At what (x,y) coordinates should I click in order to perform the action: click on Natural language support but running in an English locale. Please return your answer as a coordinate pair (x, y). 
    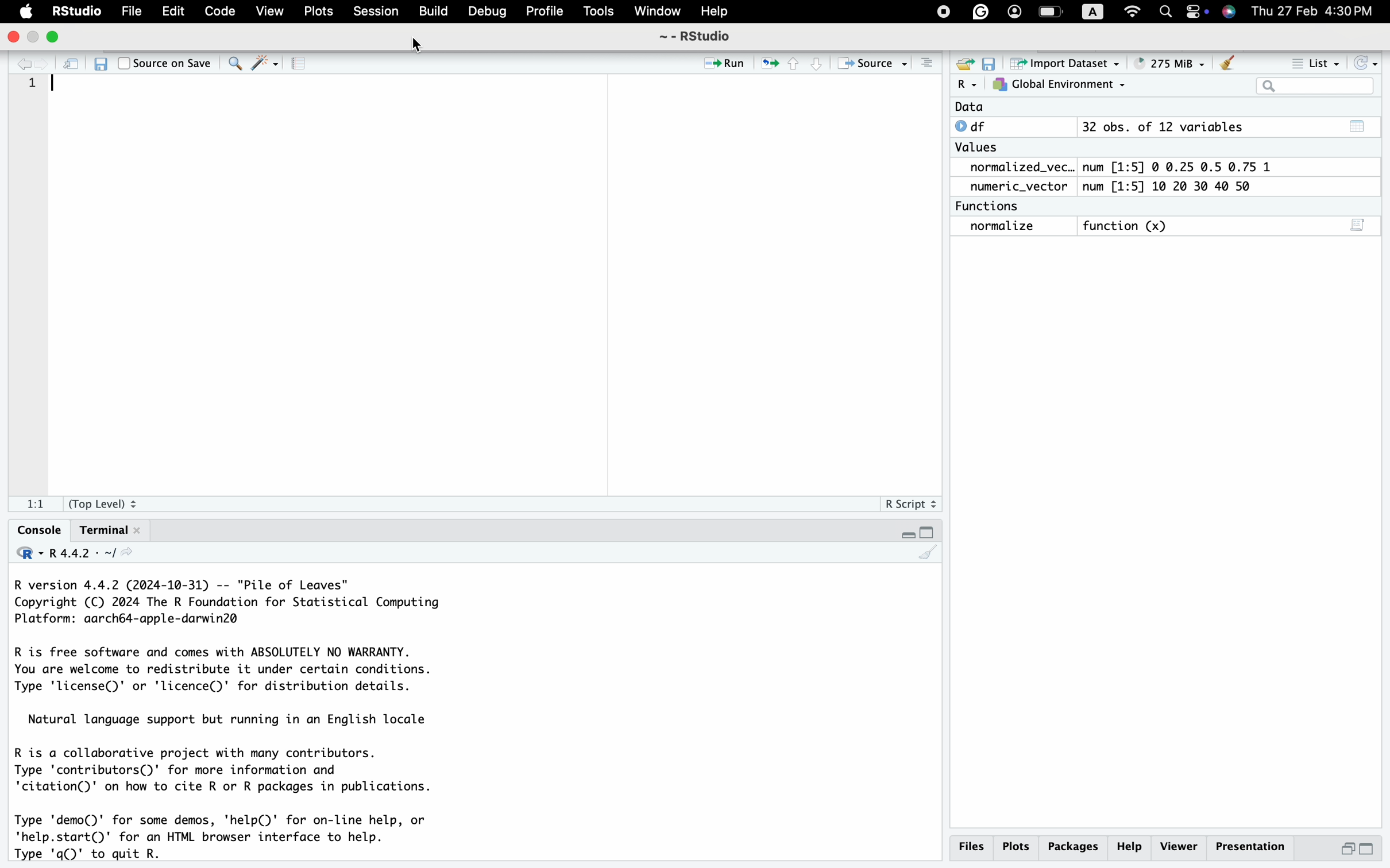
    Looking at the image, I should click on (237, 720).